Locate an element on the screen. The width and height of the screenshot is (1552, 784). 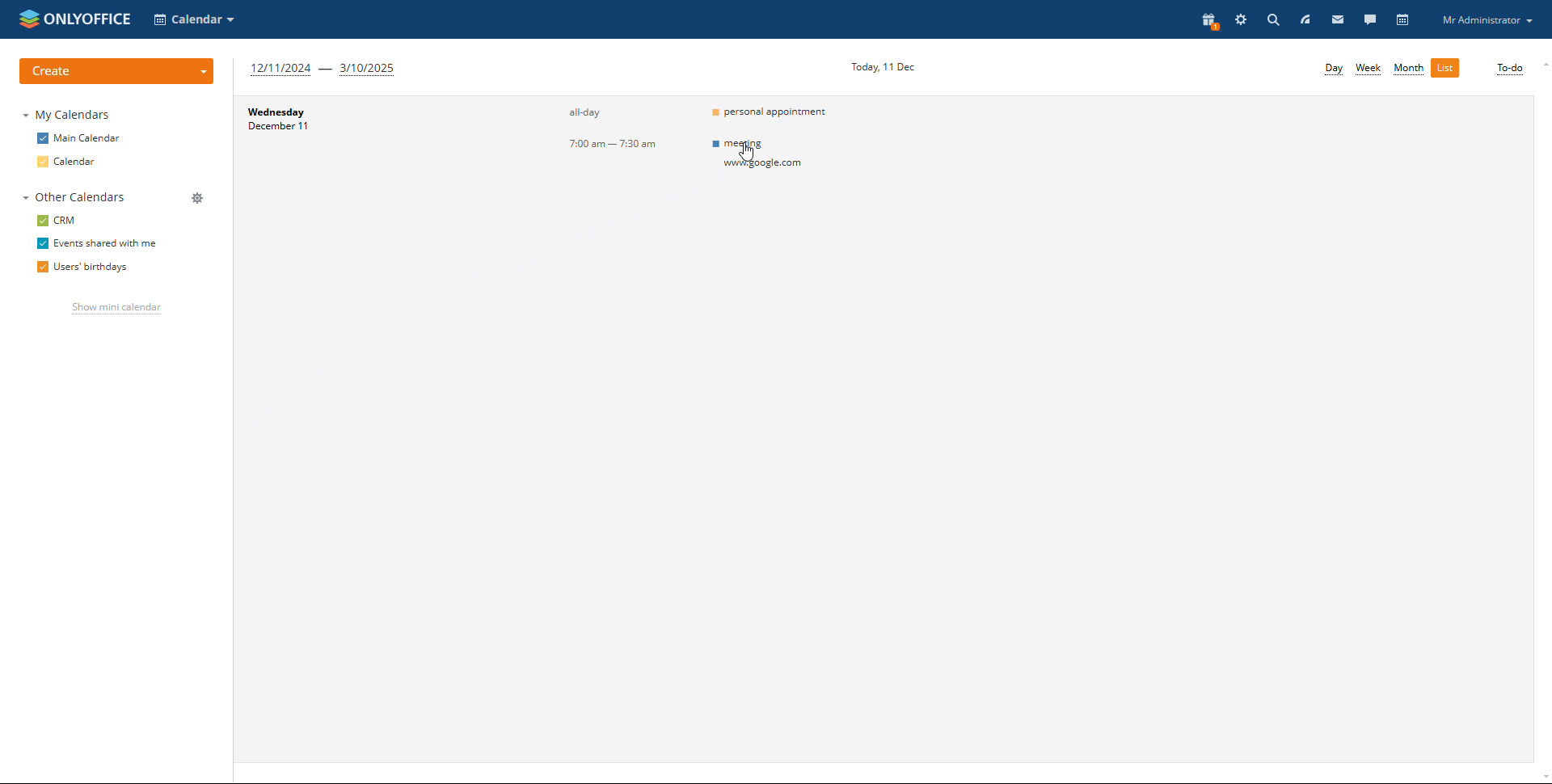
personal is located at coordinates (775, 112).